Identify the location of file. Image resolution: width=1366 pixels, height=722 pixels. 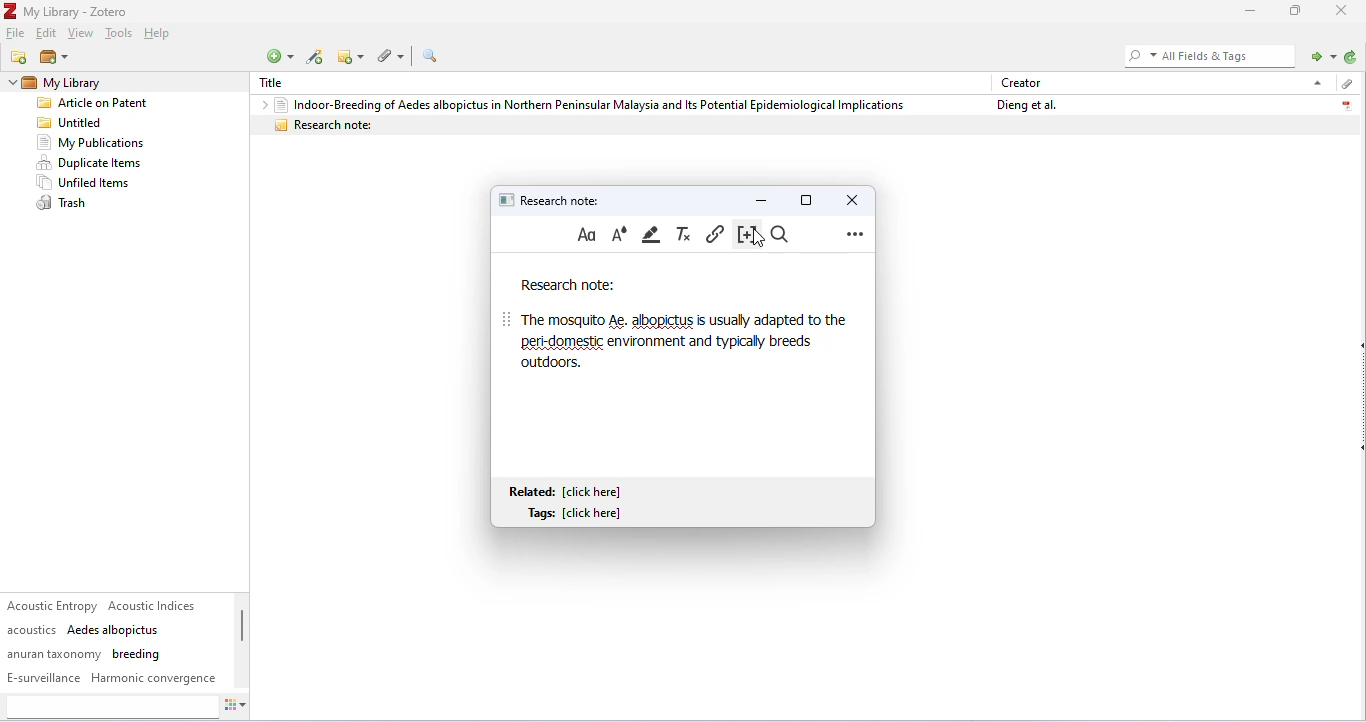
(17, 34).